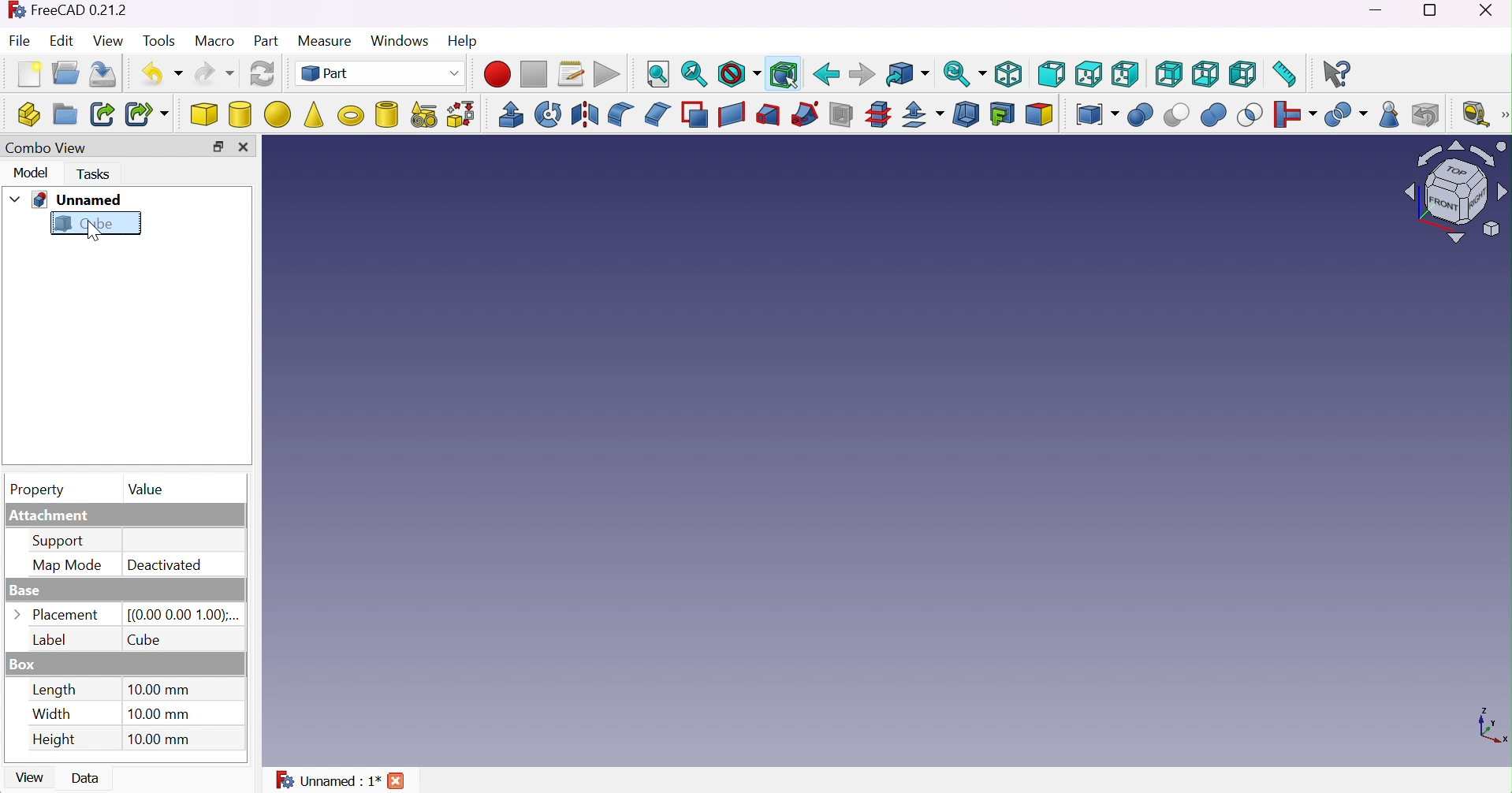 The image size is (1512, 793). I want to click on Back, so click(828, 73).